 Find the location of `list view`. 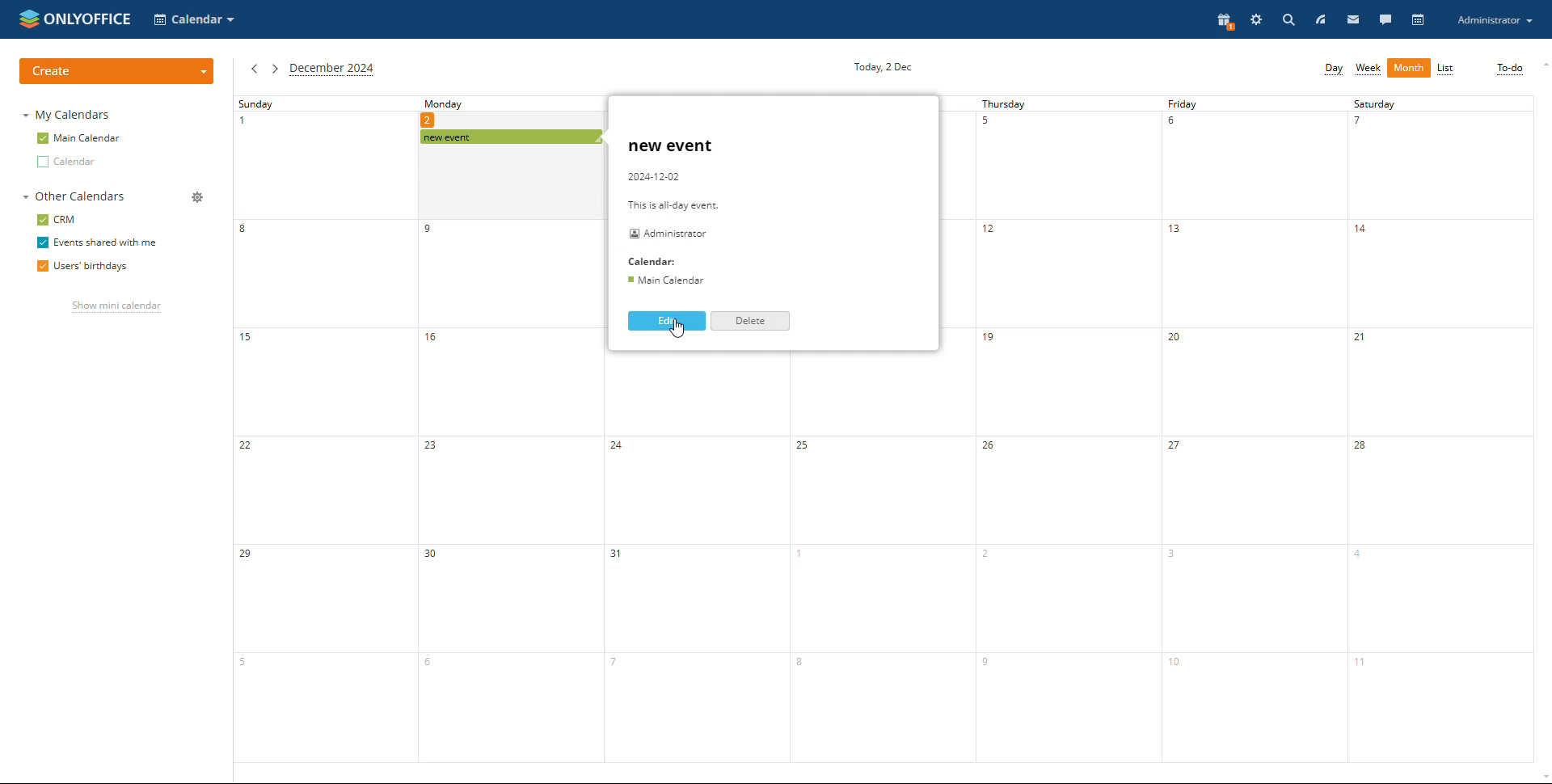

list view is located at coordinates (1447, 69).